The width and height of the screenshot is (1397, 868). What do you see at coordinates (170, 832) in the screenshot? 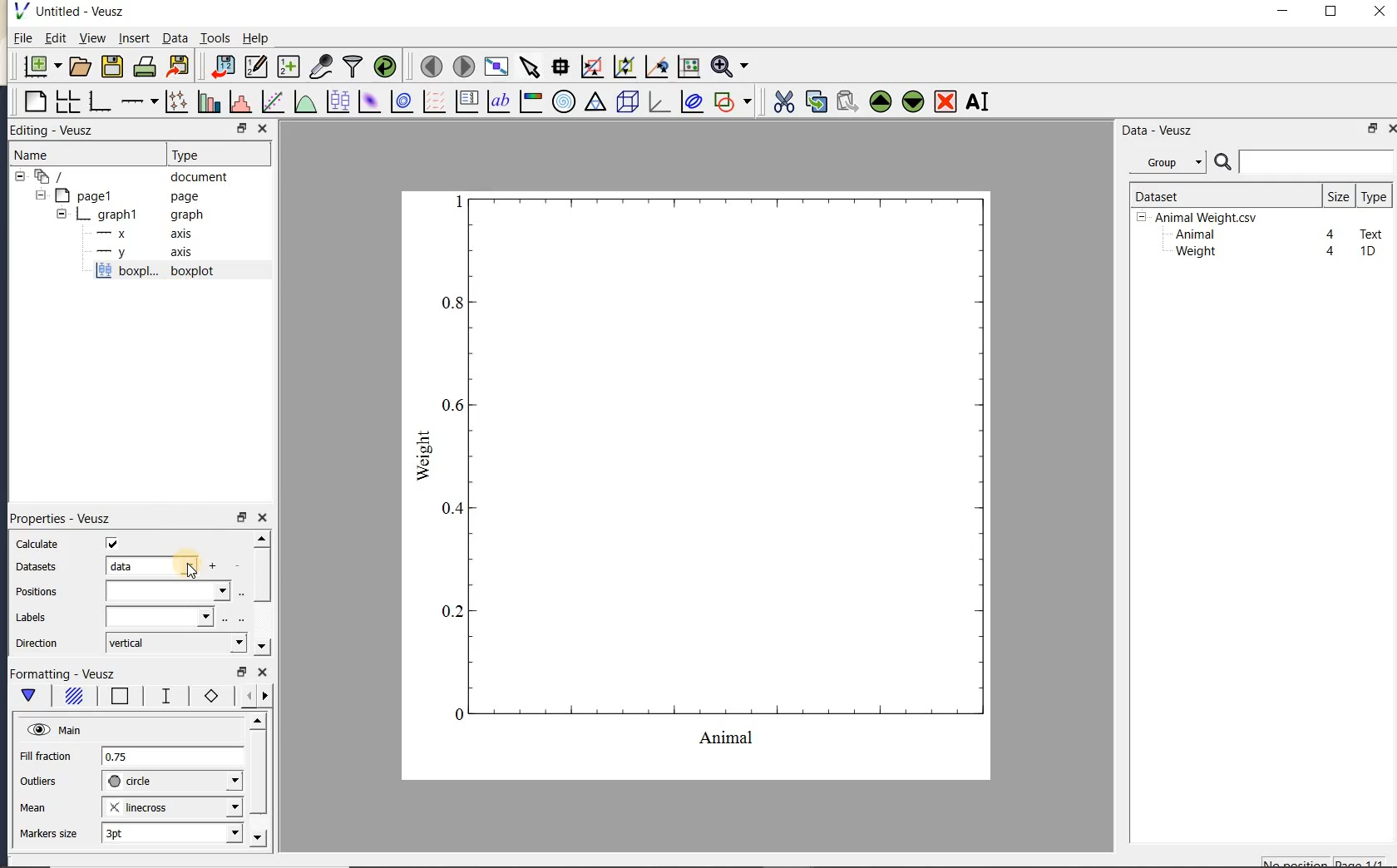
I see `3pt` at bounding box center [170, 832].